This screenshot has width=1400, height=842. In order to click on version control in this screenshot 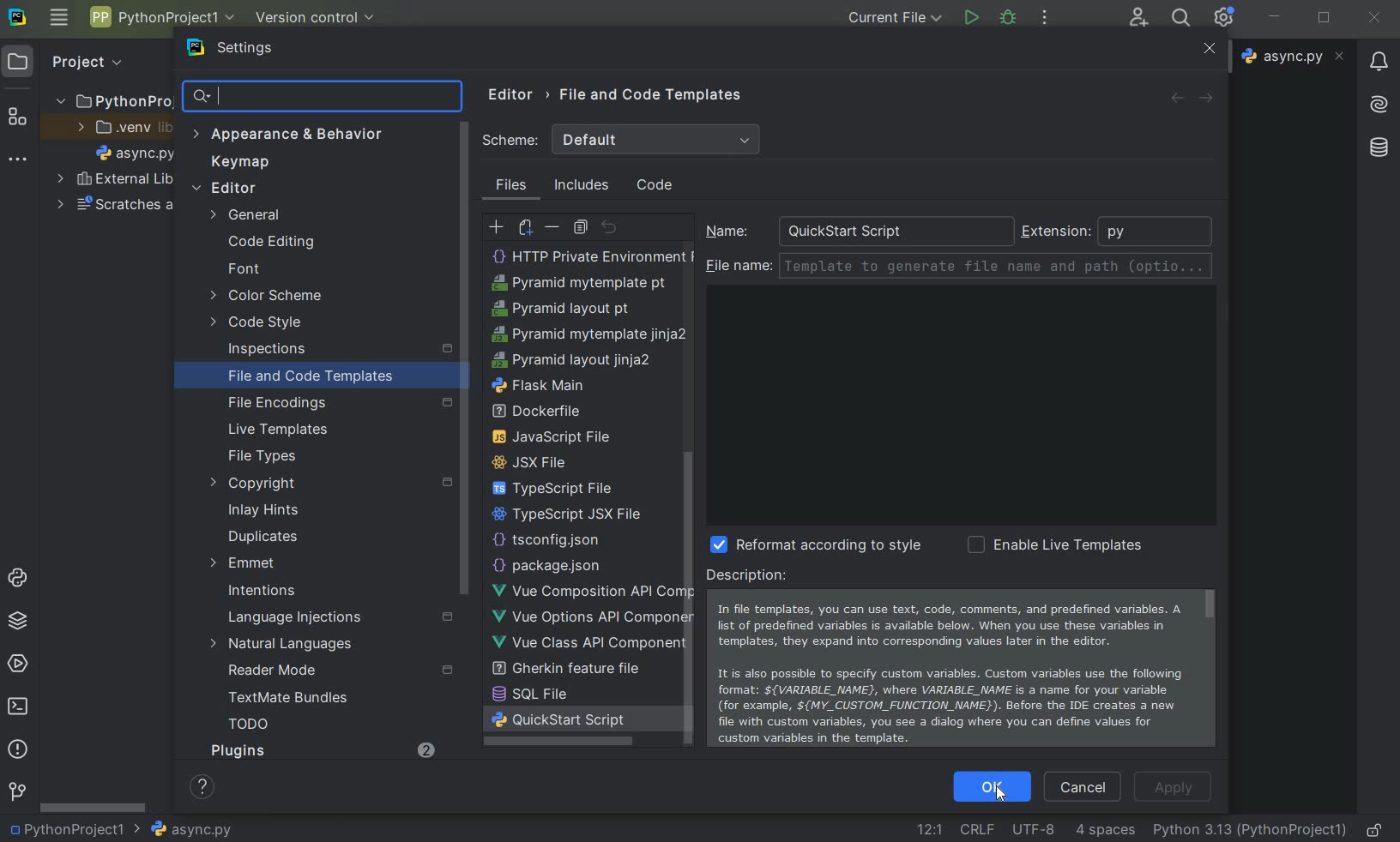, I will do `click(18, 789)`.